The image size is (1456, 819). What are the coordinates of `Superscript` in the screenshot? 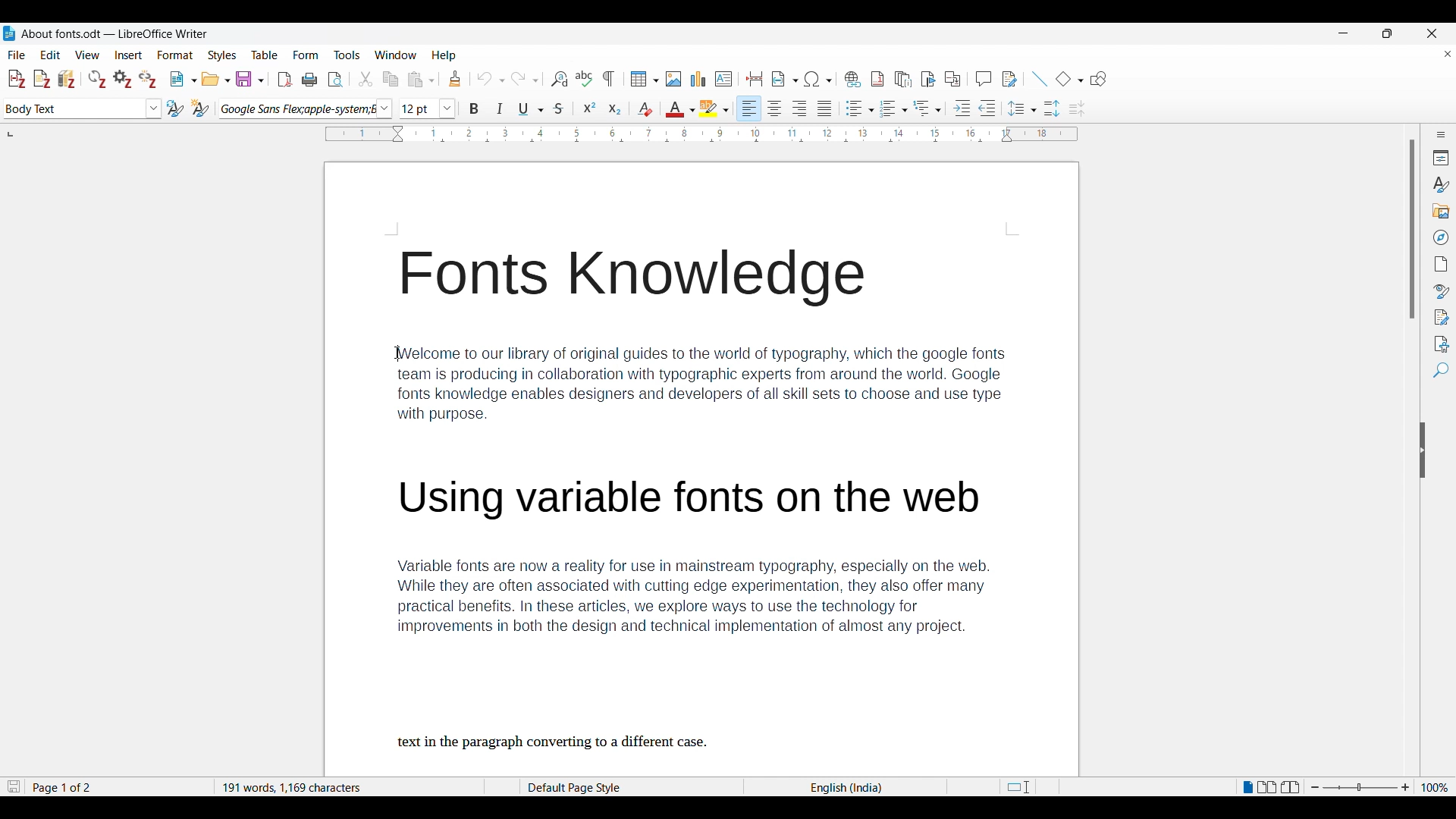 It's located at (590, 108).